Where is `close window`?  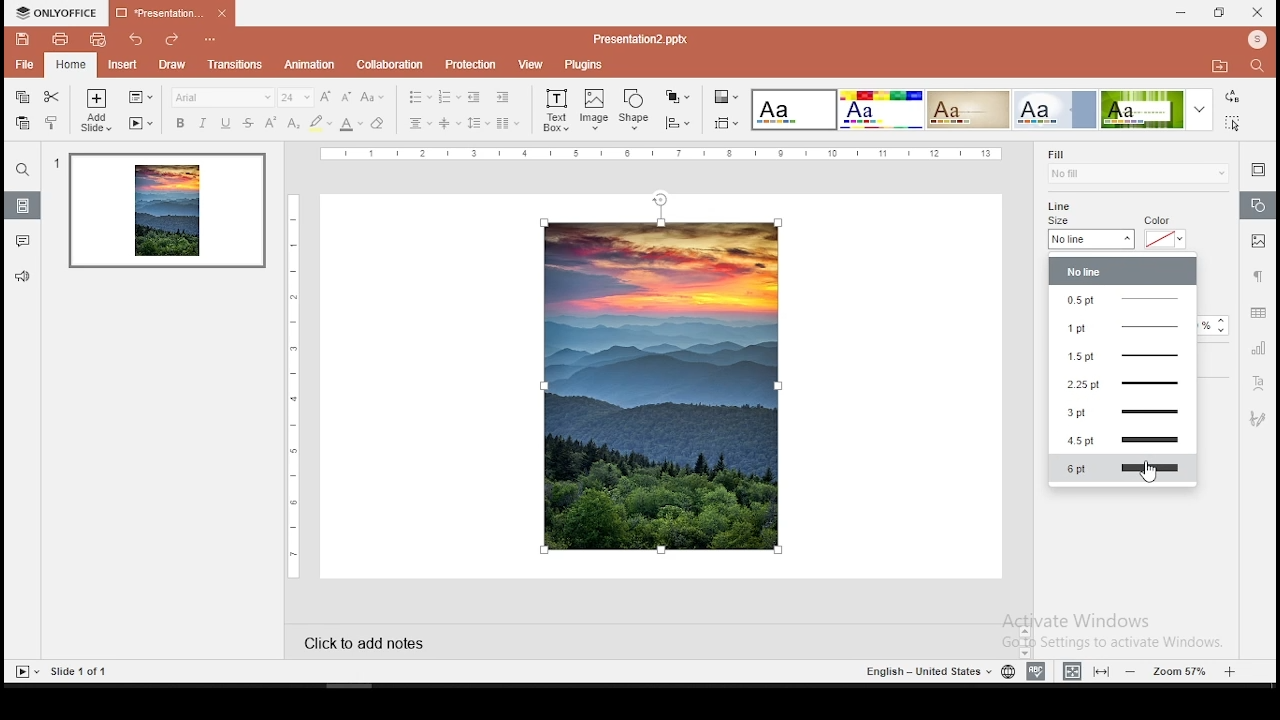 close window is located at coordinates (1256, 13).